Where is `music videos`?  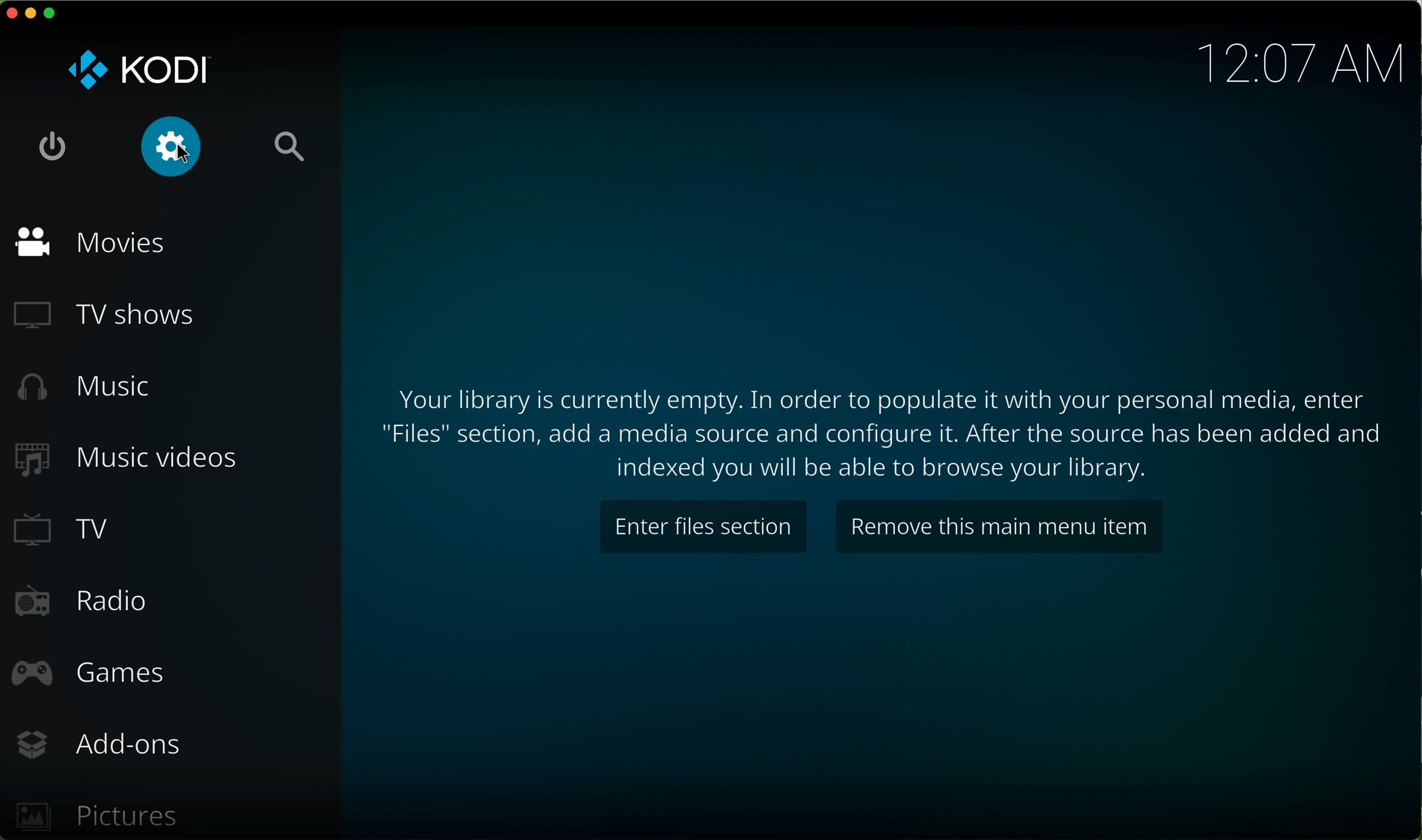 music videos is located at coordinates (126, 461).